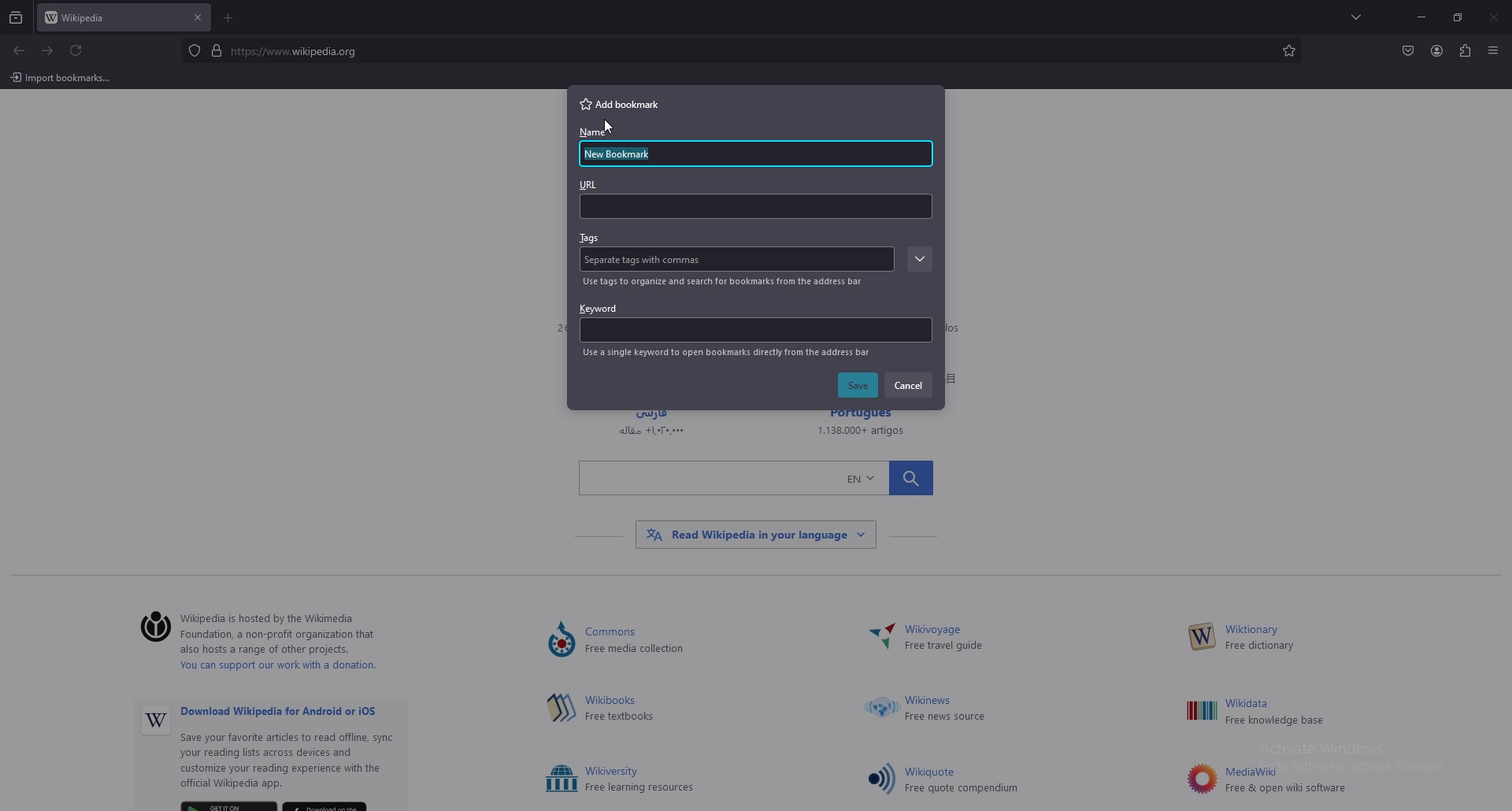 Image resolution: width=1512 pixels, height=811 pixels. Describe the element at coordinates (612, 127) in the screenshot. I see `` at that location.